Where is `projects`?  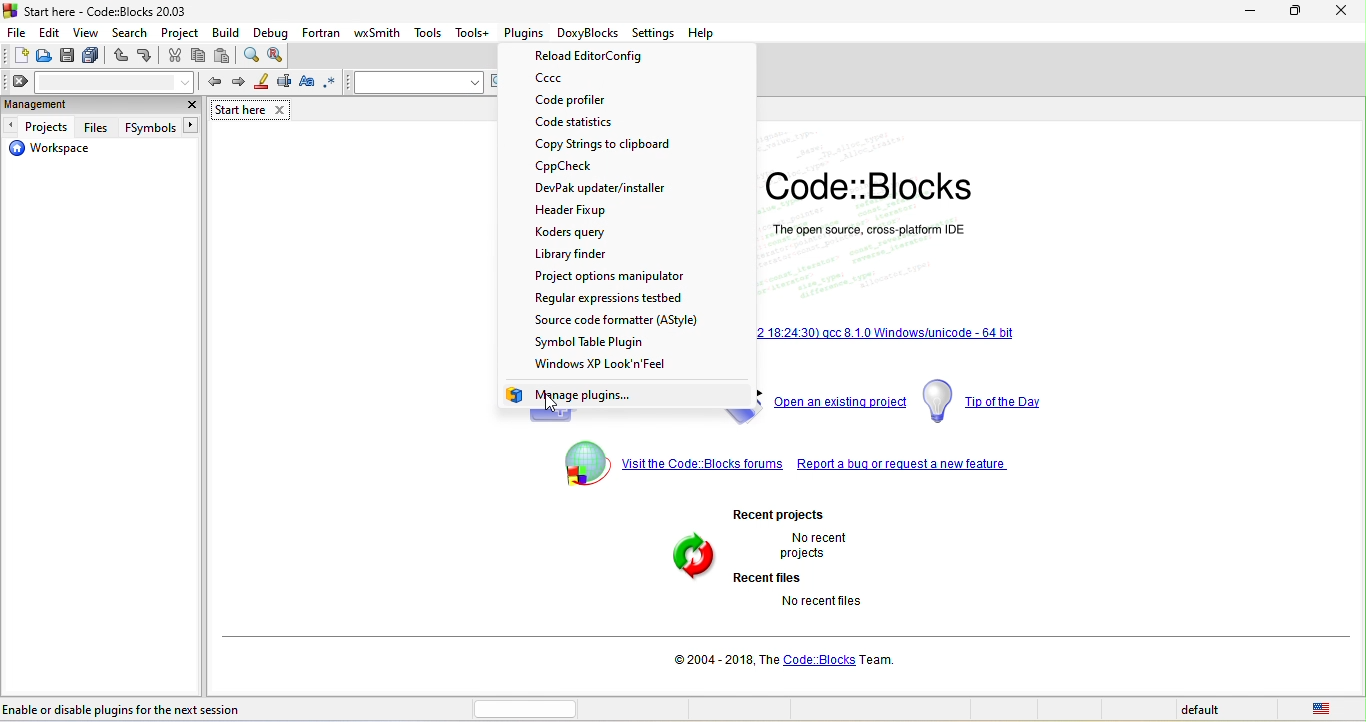 projects is located at coordinates (41, 125).